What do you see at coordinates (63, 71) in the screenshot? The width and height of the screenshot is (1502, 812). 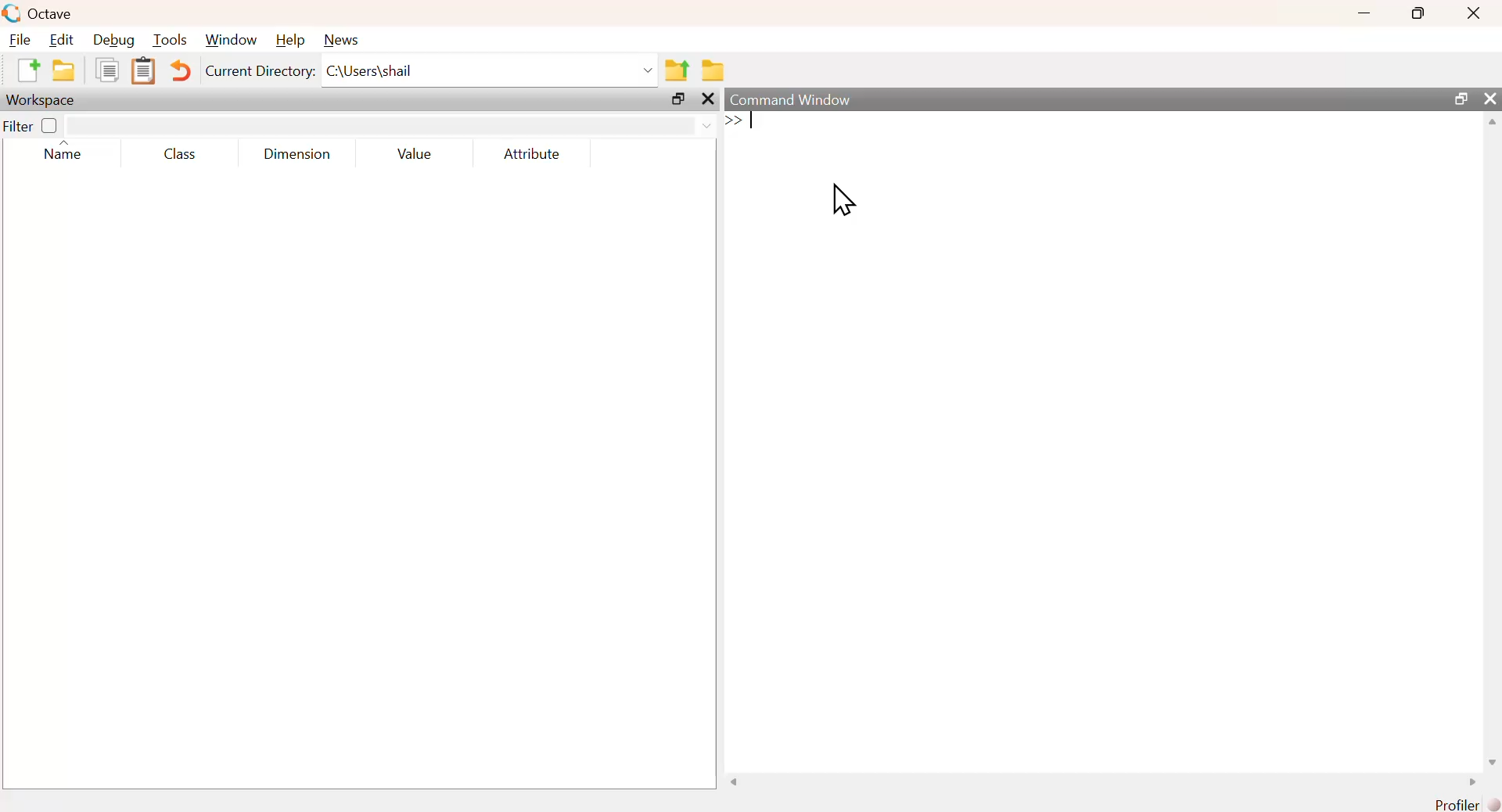 I see `open an existing file in editor` at bounding box center [63, 71].